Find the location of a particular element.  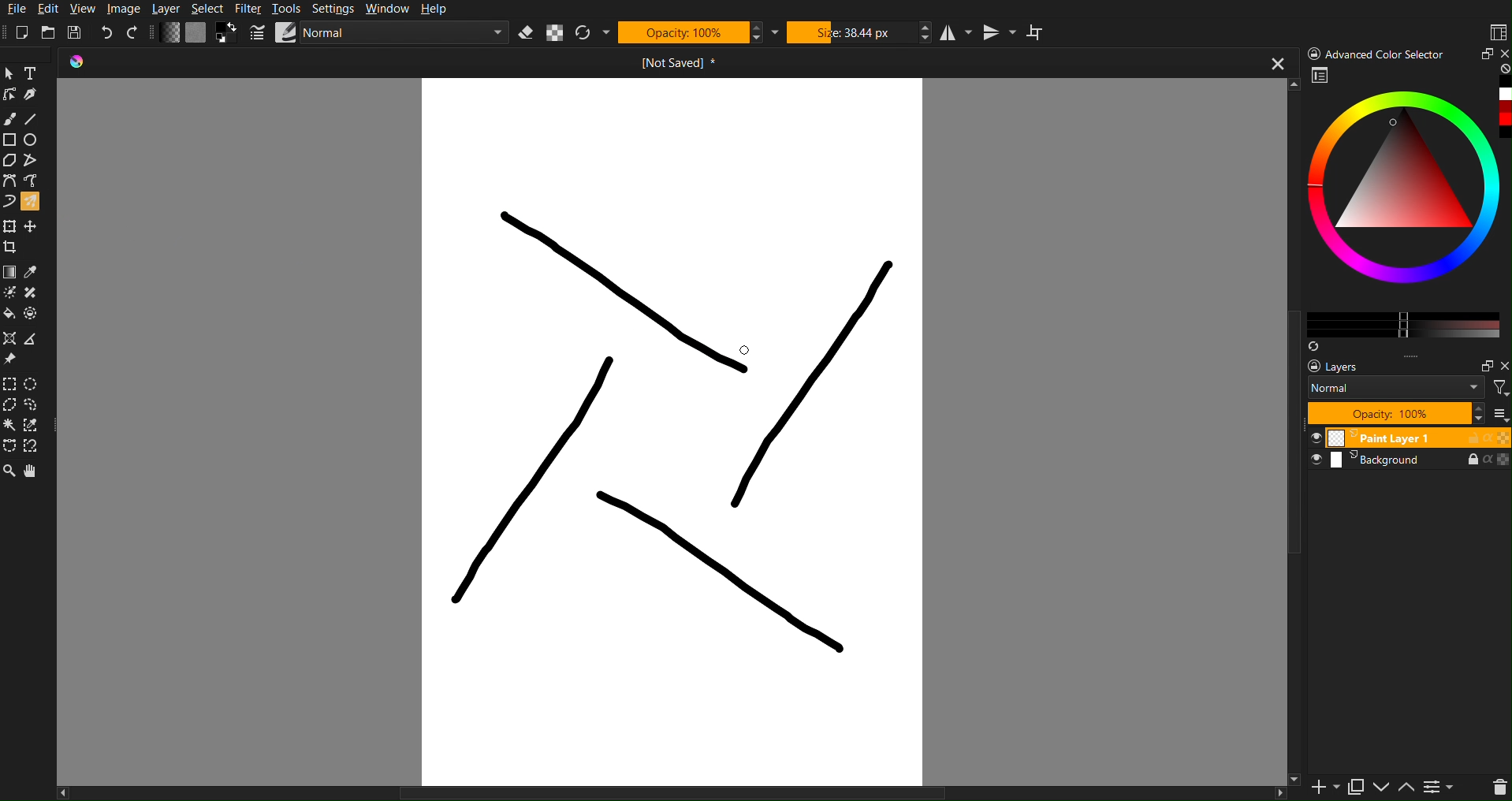

Save is located at coordinates (75, 31).